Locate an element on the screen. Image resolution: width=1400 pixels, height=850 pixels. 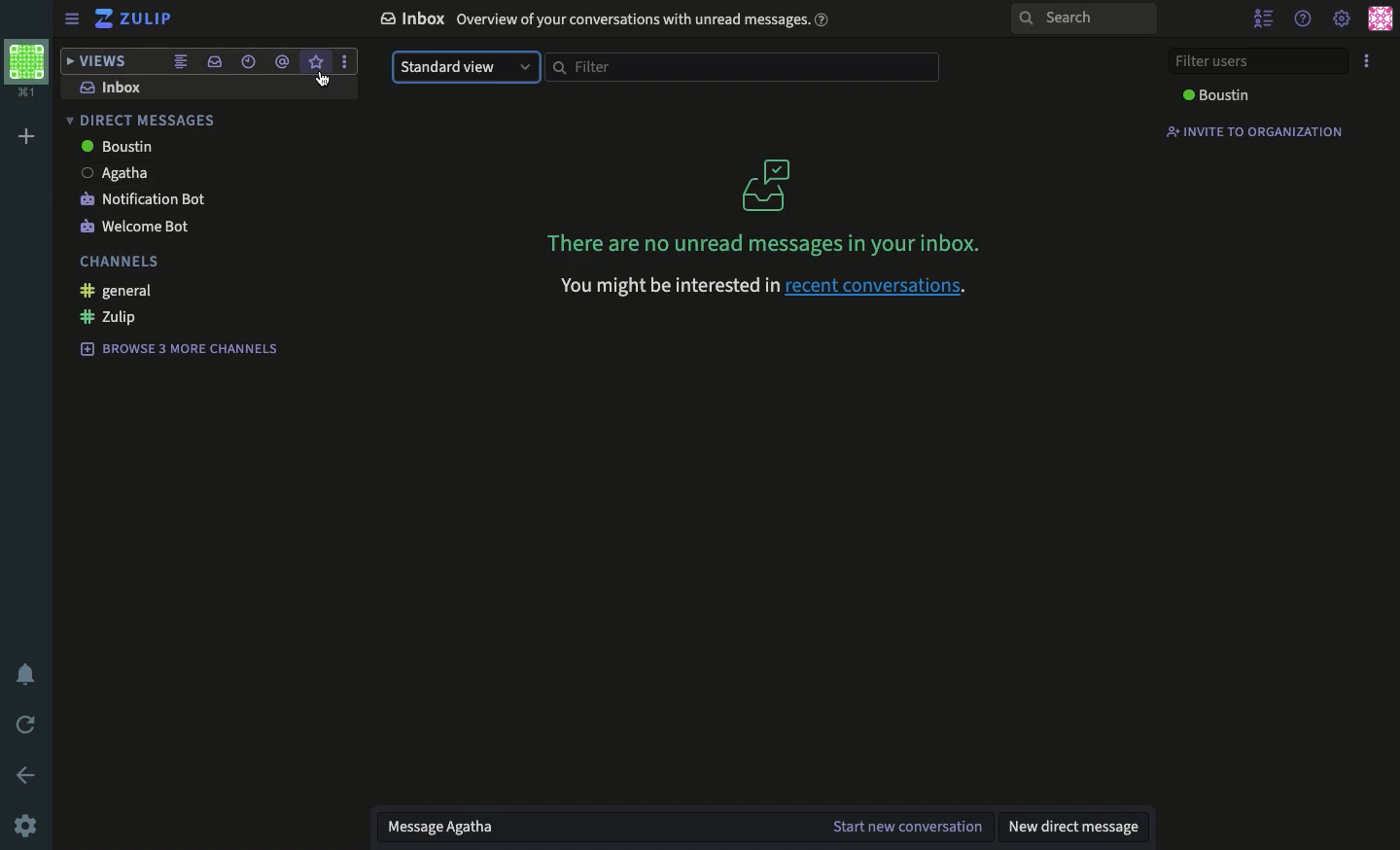
options is located at coordinates (345, 61).